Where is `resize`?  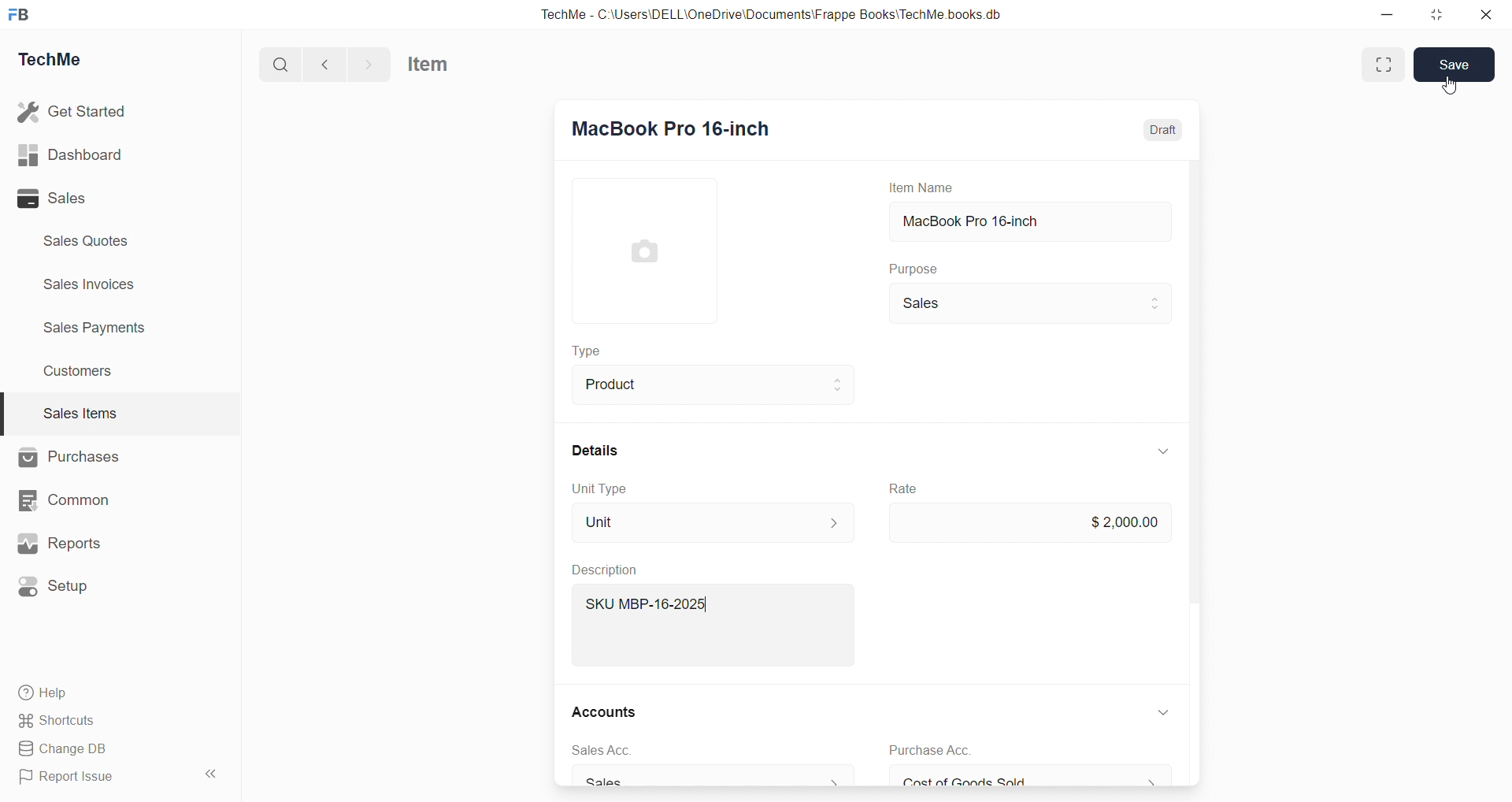
resize is located at coordinates (1436, 15).